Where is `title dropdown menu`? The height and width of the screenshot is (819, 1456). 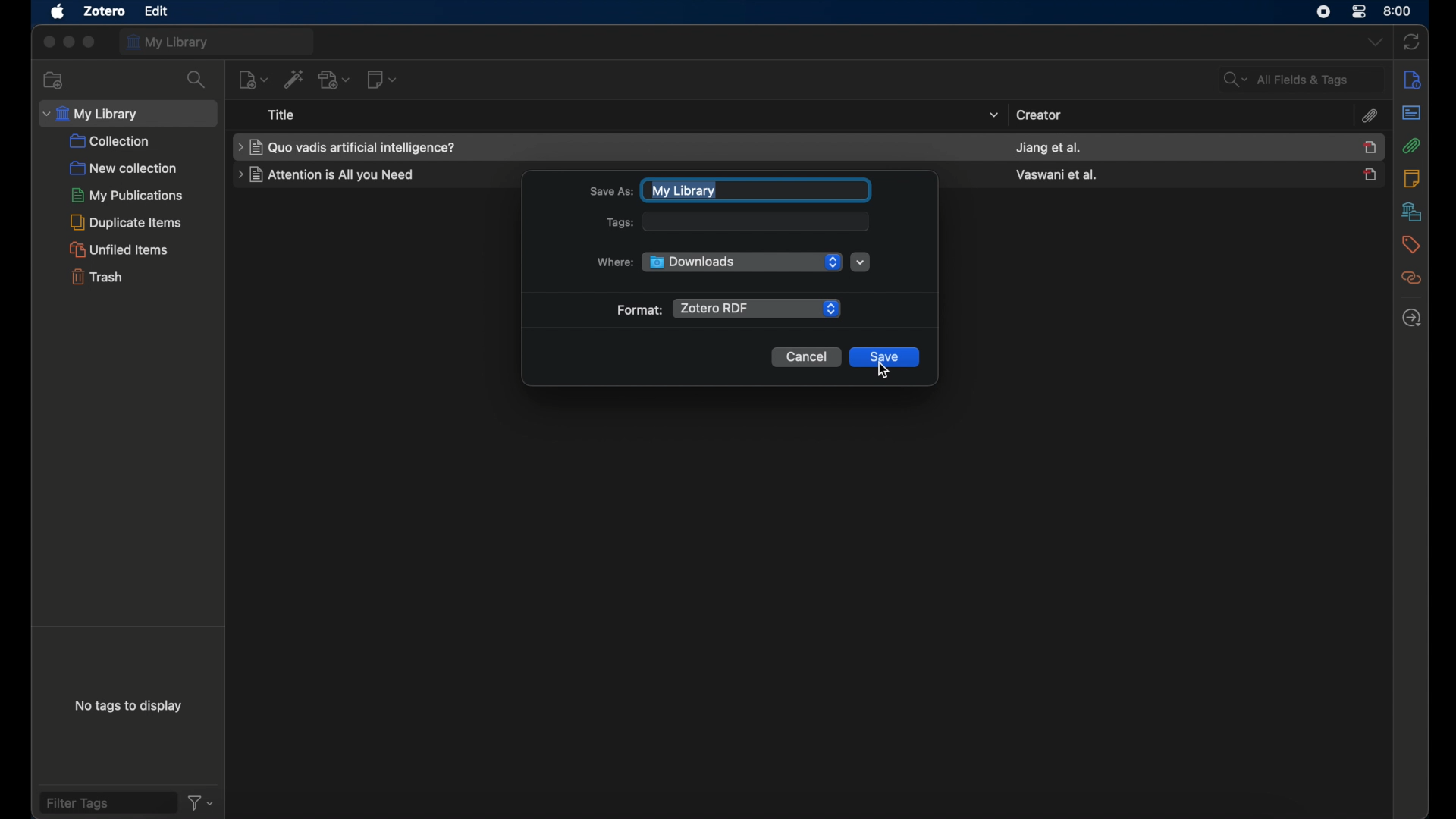 title dropdown menu is located at coordinates (992, 115).